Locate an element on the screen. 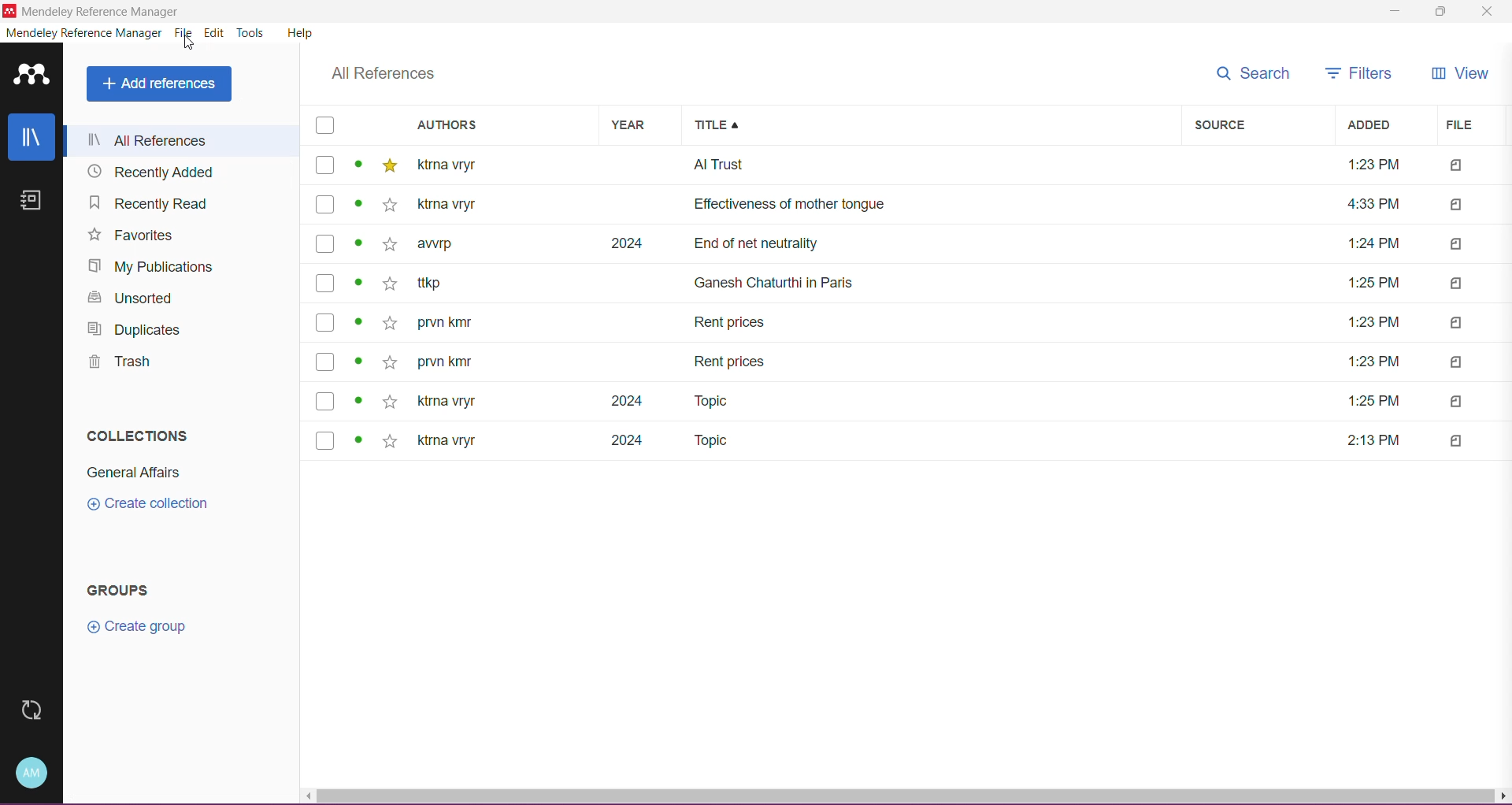  Account and Help is located at coordinates (36, 772).